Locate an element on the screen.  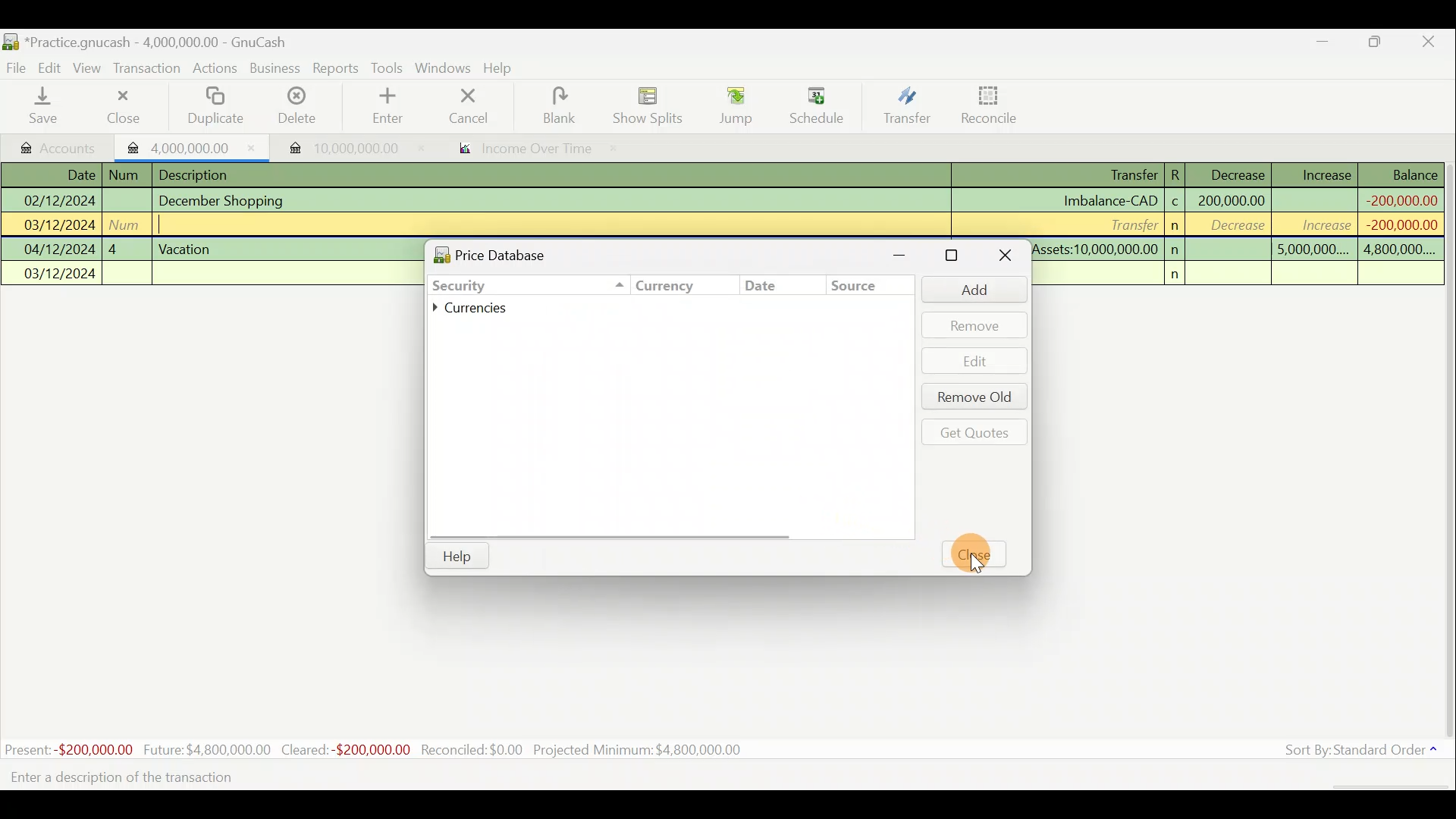
200,000,000 is located at coordinates (1230, 200).